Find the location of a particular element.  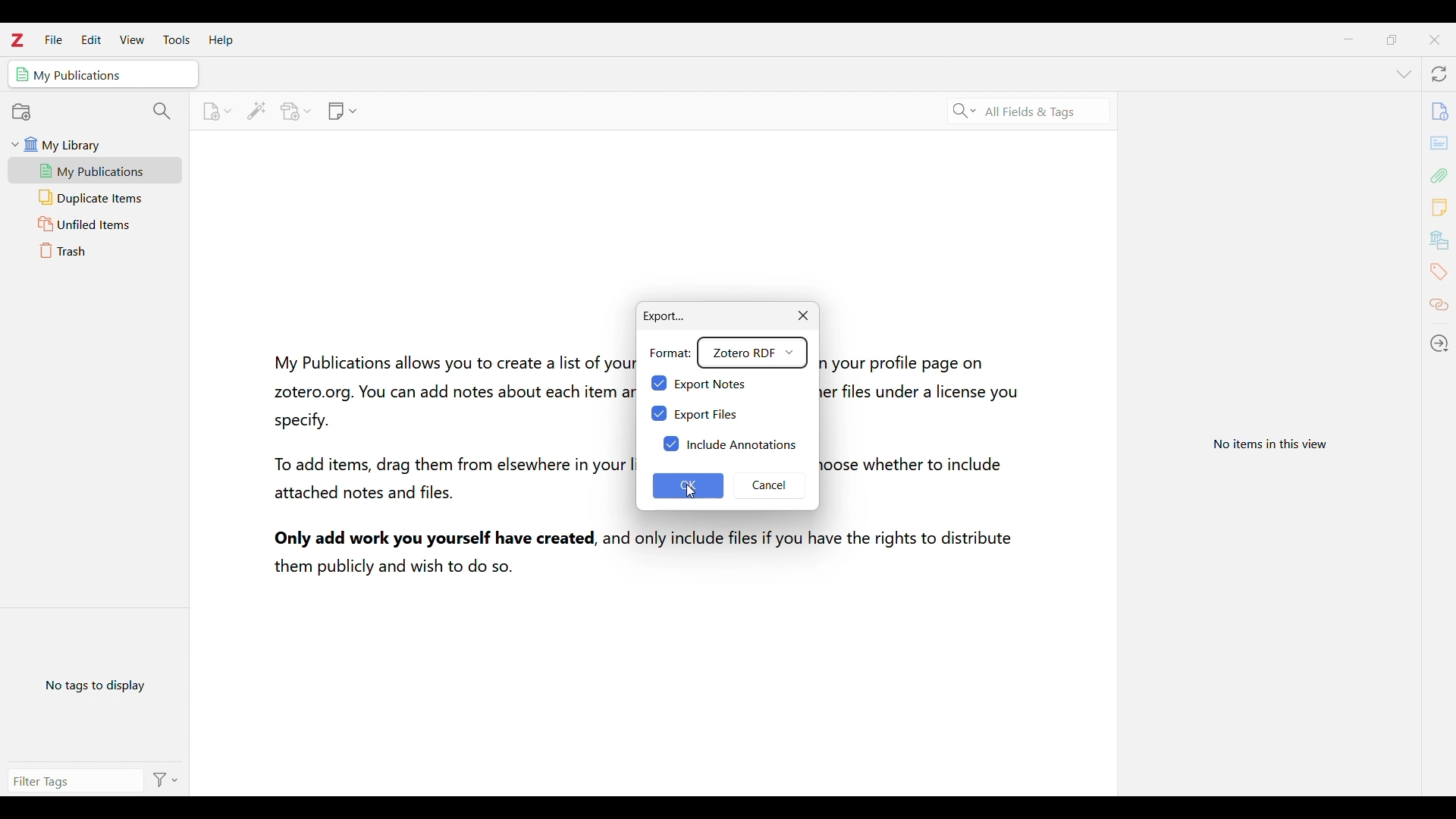

No tags to display yet is located at coordinates (96, 683).